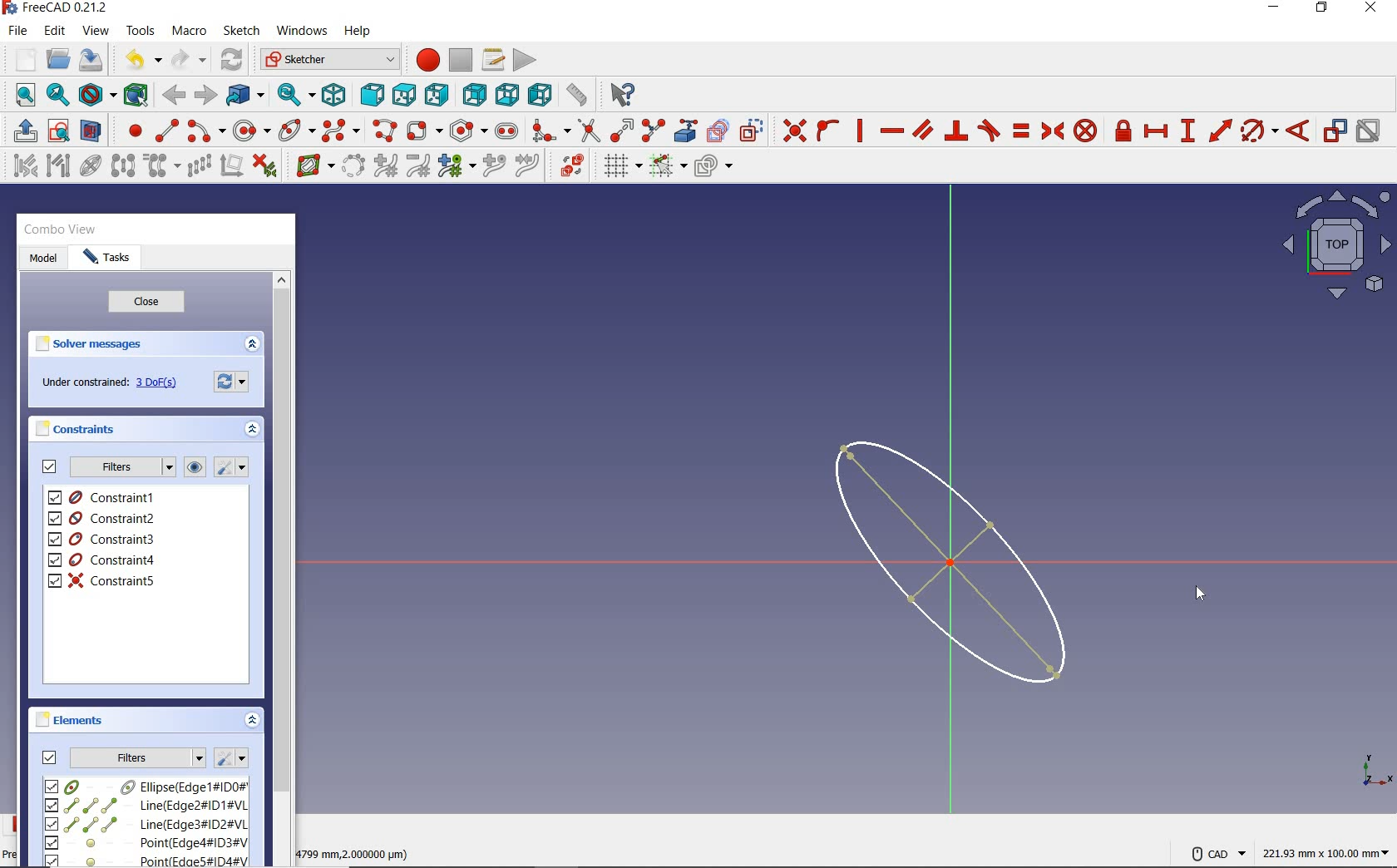  I want to click on constrain horizontally, so click(891, 131).